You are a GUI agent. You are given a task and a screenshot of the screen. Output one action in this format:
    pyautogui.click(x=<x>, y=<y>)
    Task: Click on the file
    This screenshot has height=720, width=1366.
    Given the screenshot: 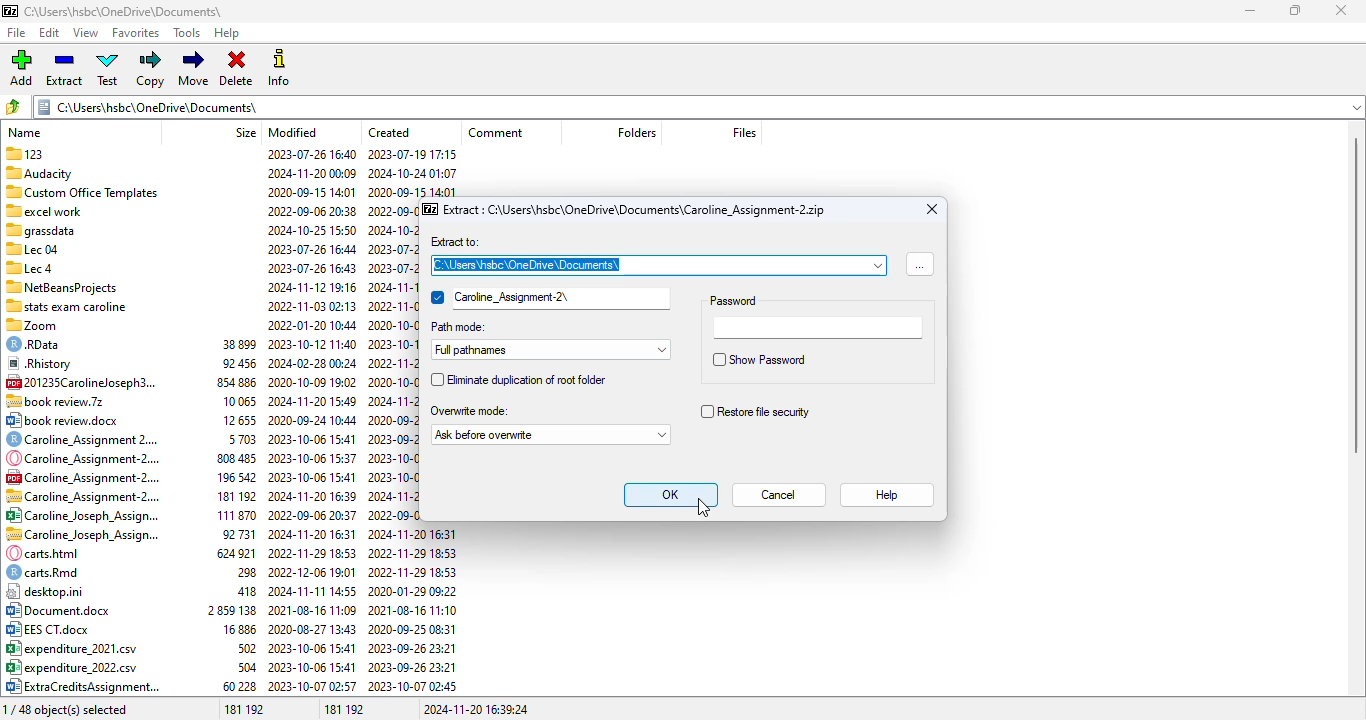 What is the action you would take?
    pyautogui.click(x=17, y=32)
    